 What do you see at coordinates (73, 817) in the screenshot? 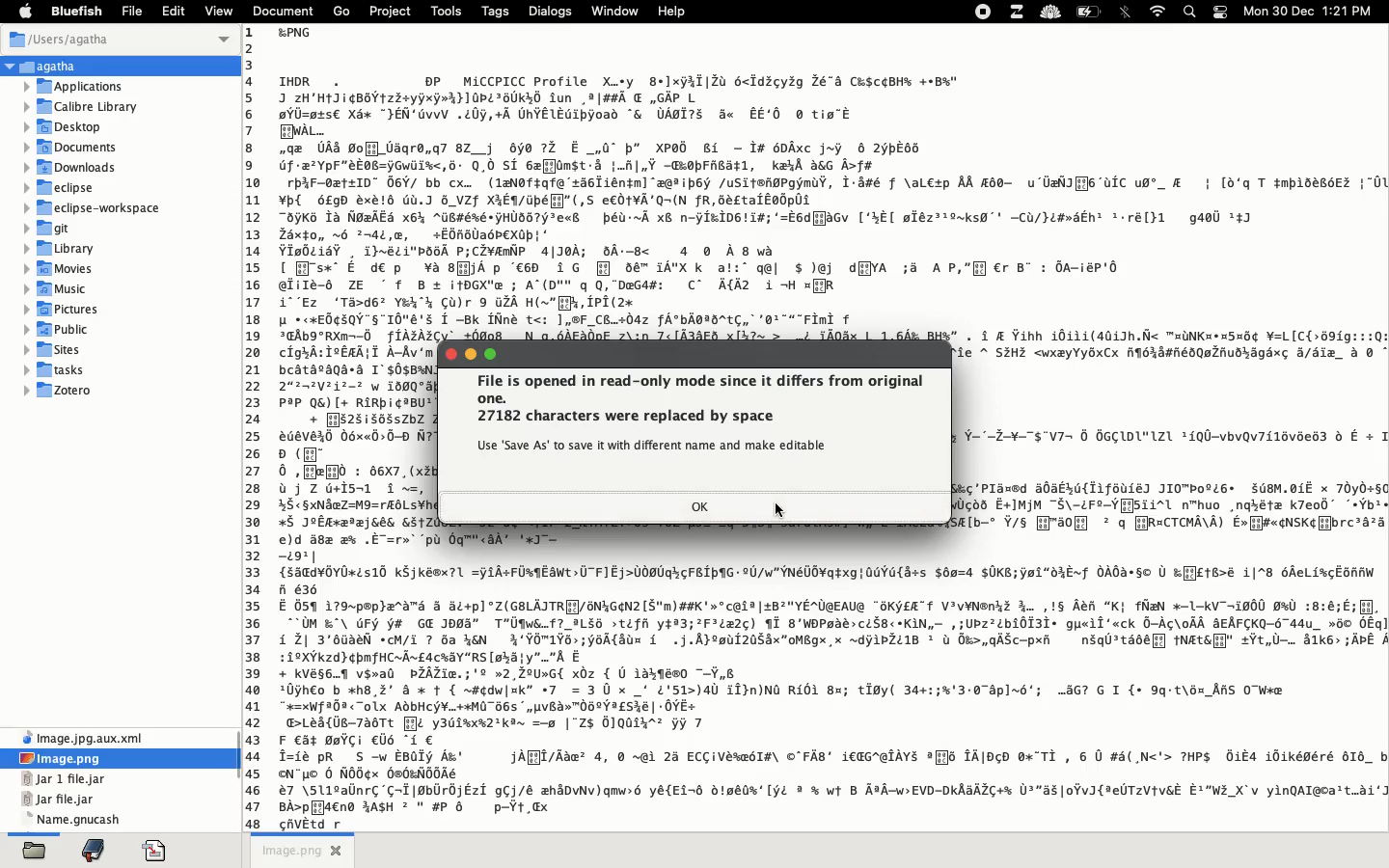
I see `file name and extension` at bounding box center [73, 817].